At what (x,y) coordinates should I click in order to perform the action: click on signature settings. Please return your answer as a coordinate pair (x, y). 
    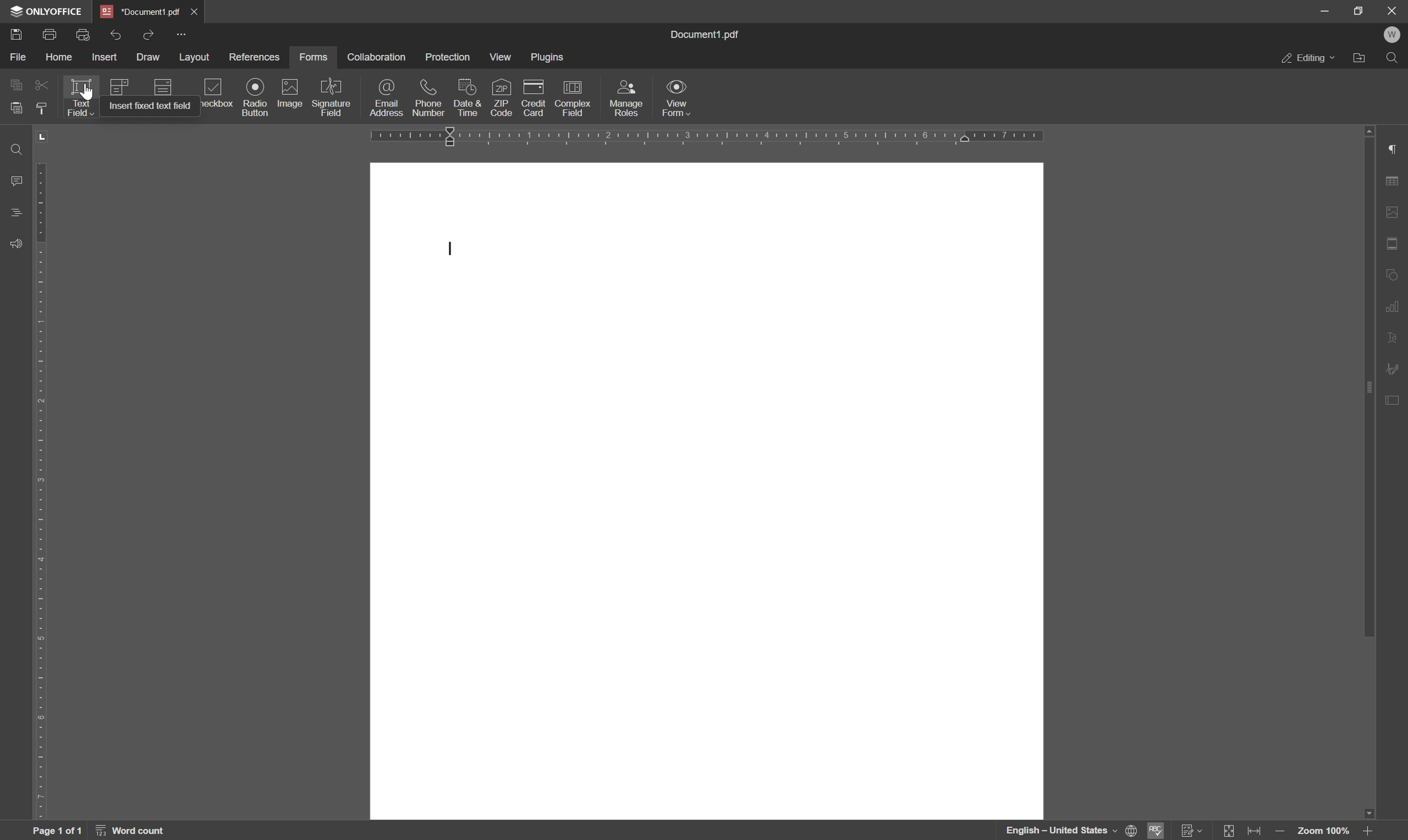
    Looking at the image, I should click on (1394, 367).